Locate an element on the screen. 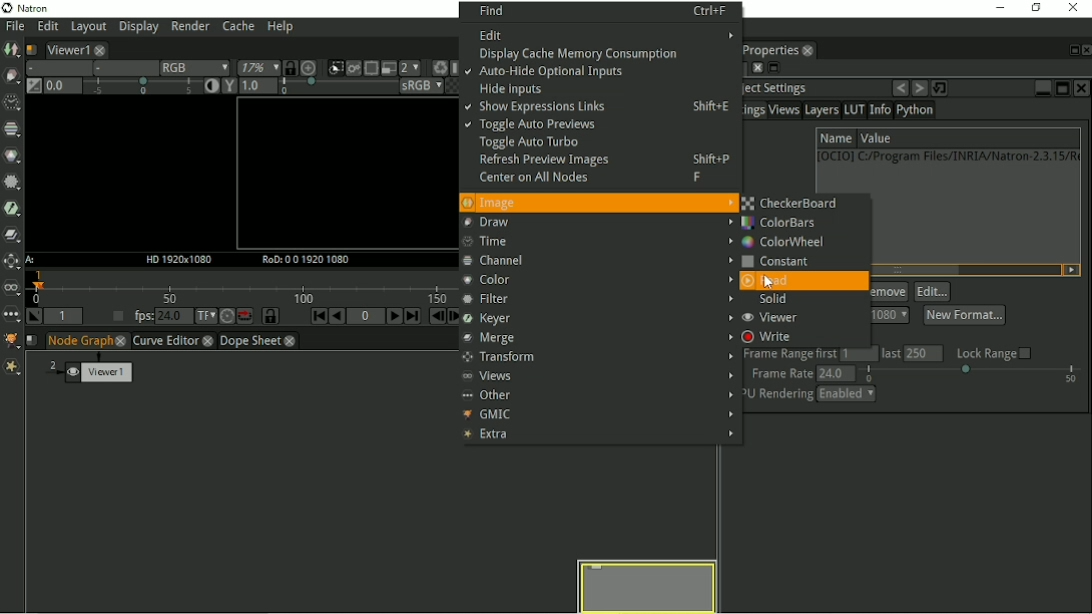 The height and width of the screenshot is (614, 1092). Playback in point is located at coordinates (66, 317).